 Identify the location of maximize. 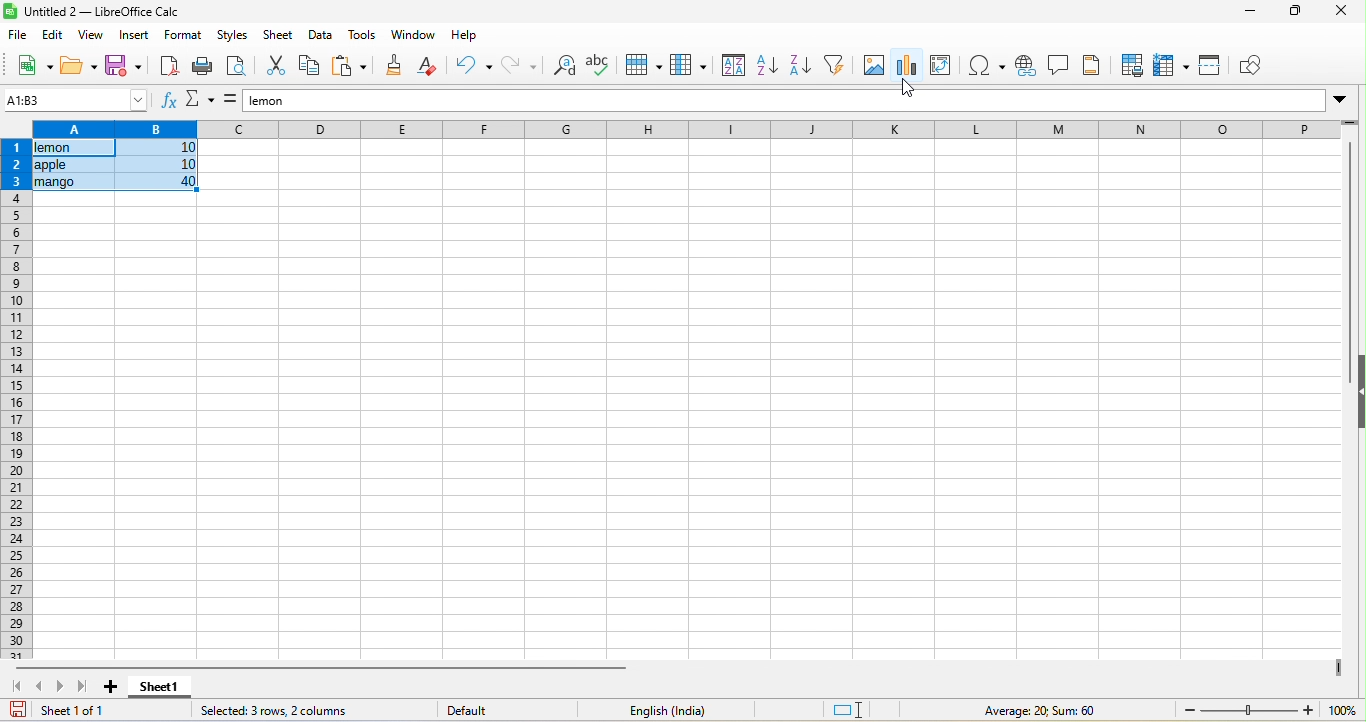
(1292, 12).